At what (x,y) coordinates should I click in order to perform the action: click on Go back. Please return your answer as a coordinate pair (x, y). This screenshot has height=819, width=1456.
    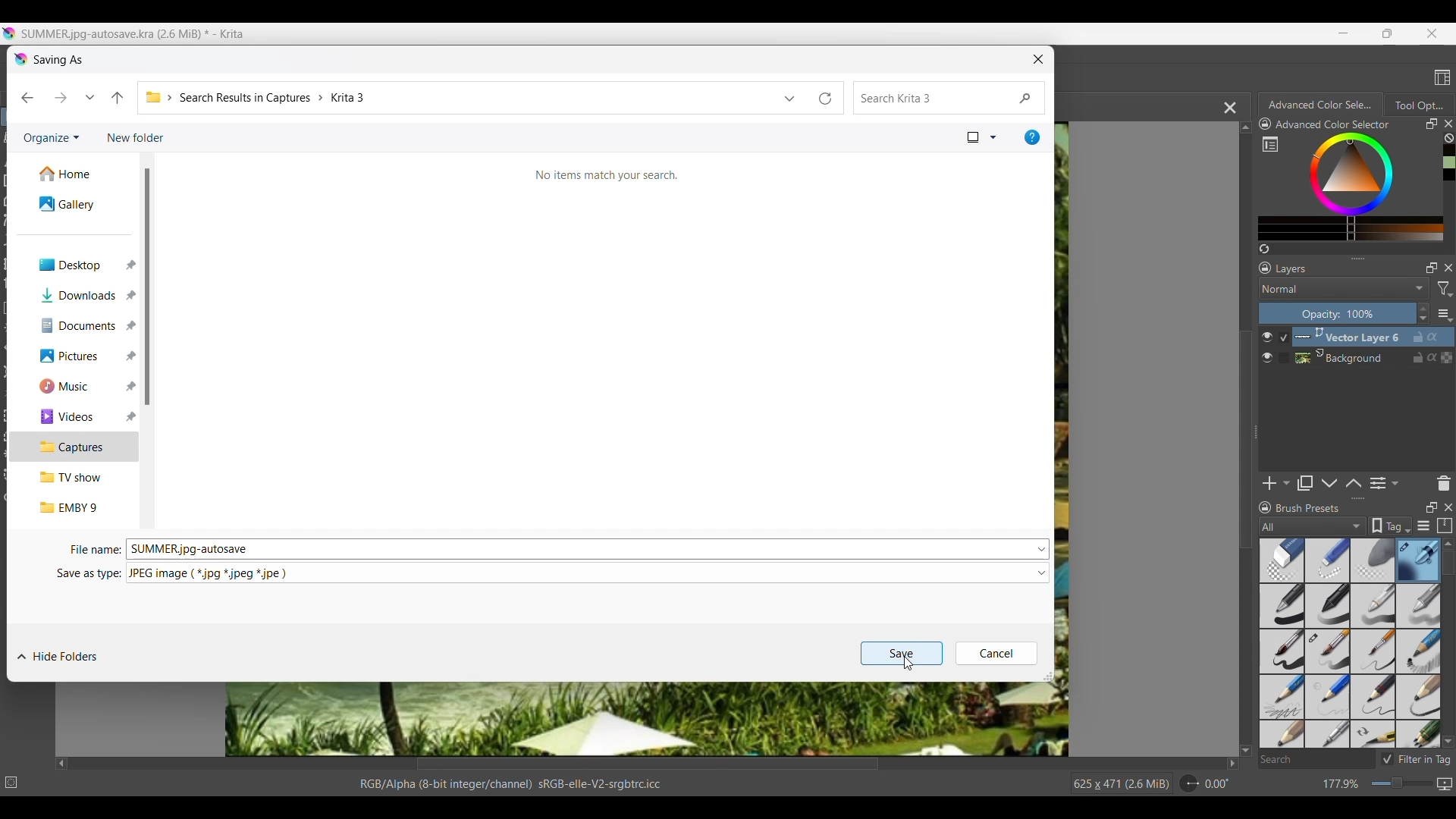
    Looking at the image, I should click on (27, 98).